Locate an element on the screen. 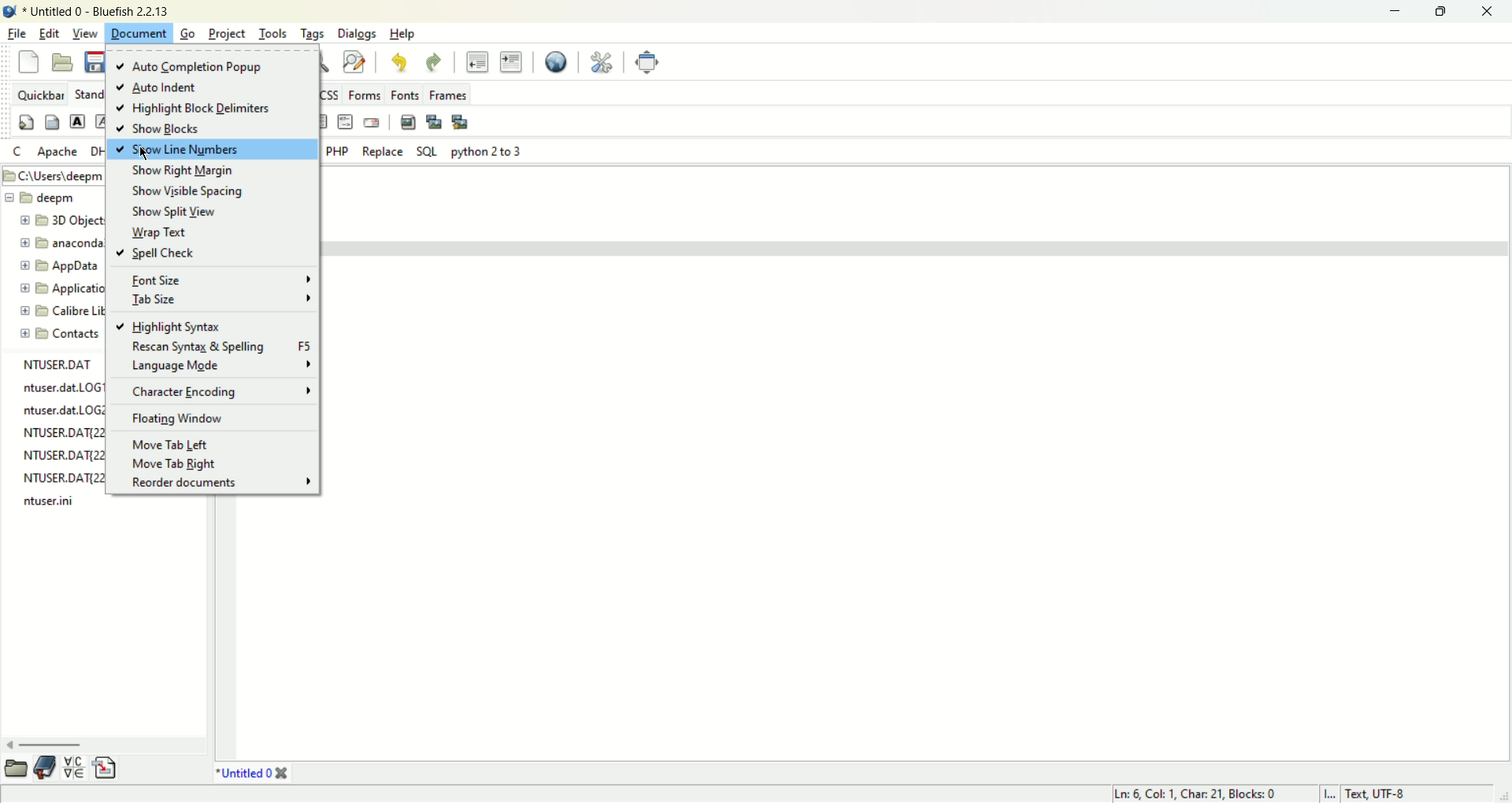 This screenshot has width=1512, height=803. NTUSER.DAT{22 is located at coordinates (61, 476).